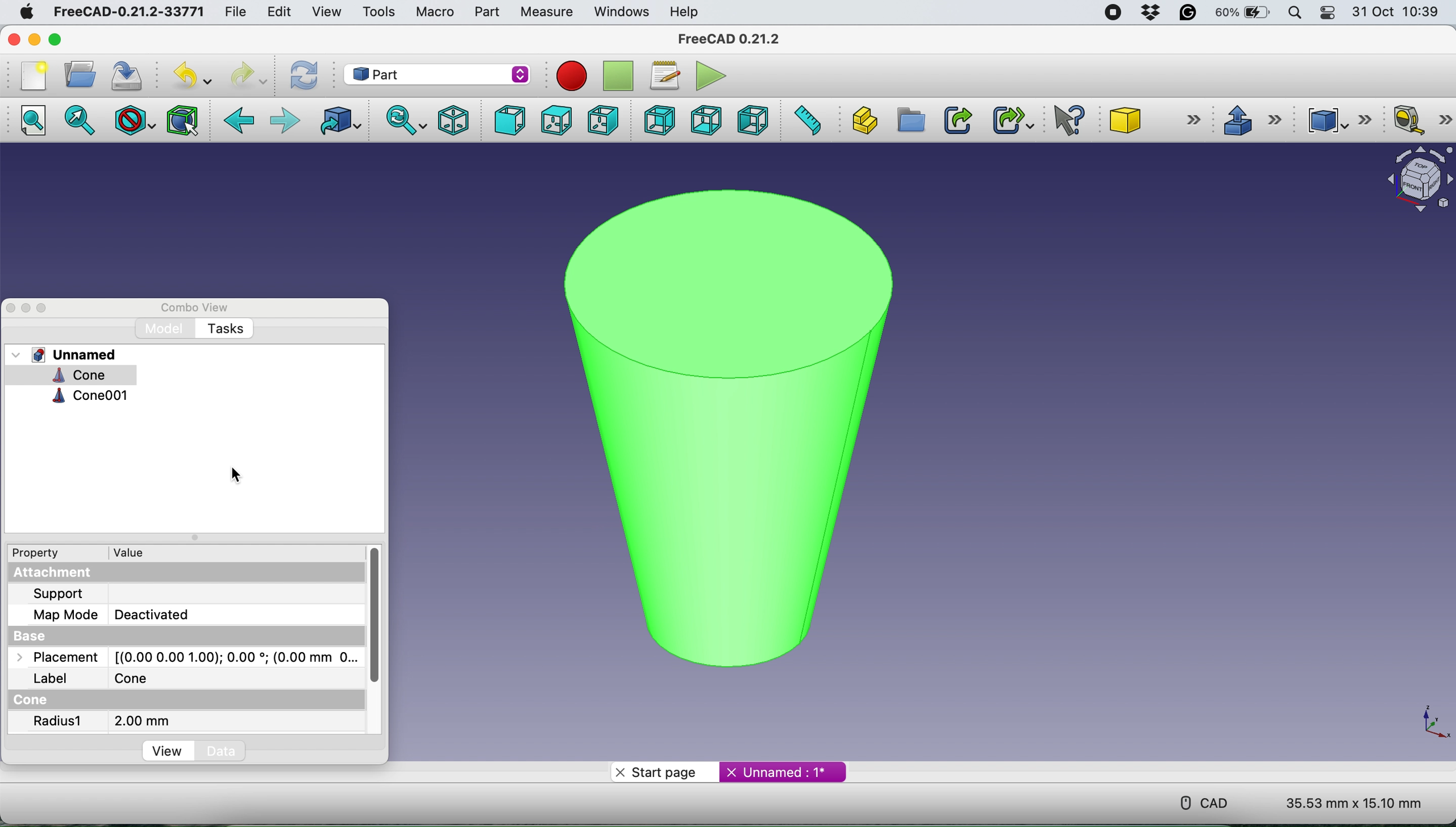 This screenshot has width=1456, height=827. What do you see at coordinates (1336, 118) in the screenshot?
I see `compound tools` at bounding box center [1336, 118].